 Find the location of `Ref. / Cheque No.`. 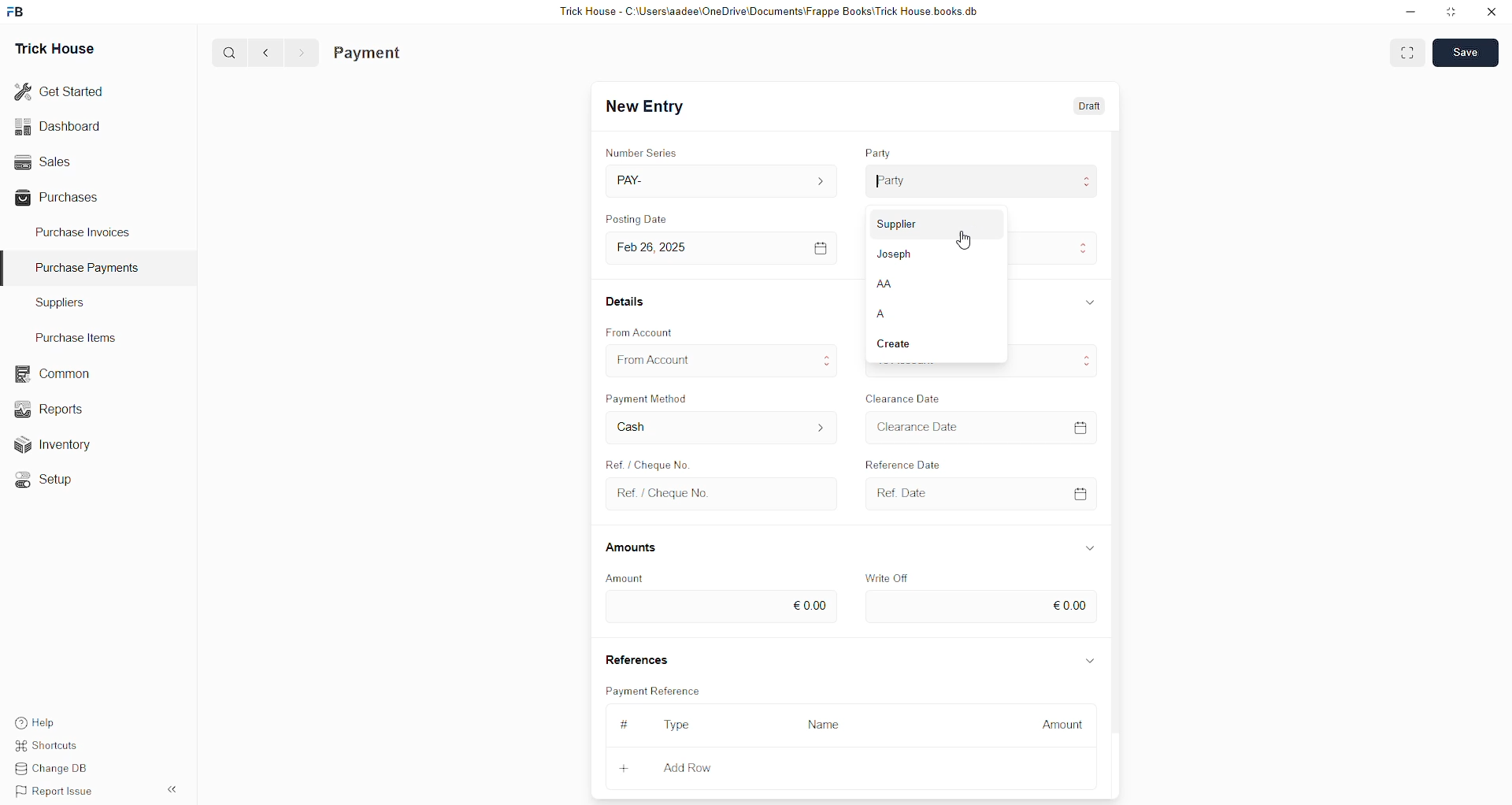

Ref. / Cheque No. is located at coordinates (719, 492).